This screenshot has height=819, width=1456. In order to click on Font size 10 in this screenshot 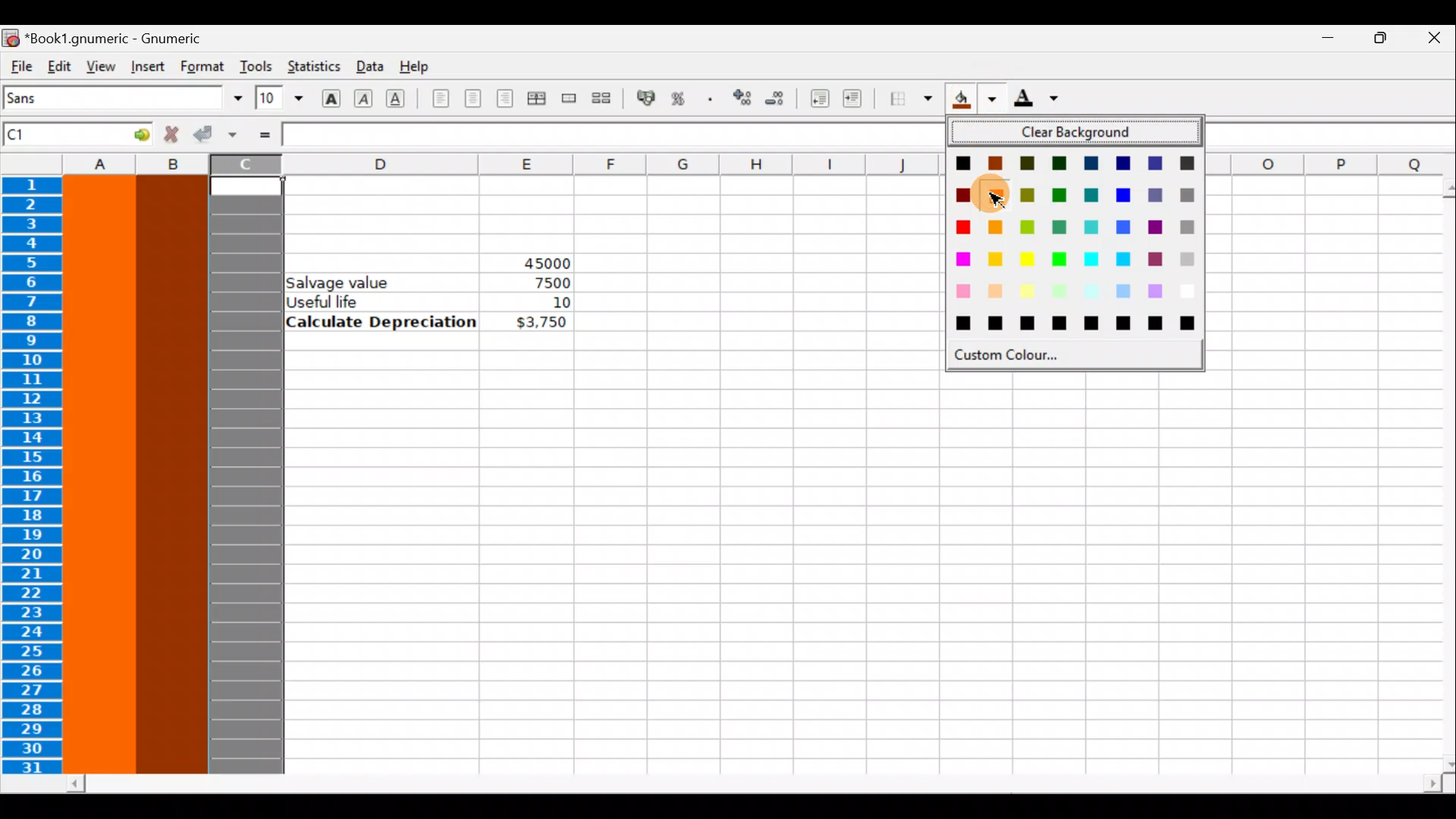, I will do `click(275, 99)`.